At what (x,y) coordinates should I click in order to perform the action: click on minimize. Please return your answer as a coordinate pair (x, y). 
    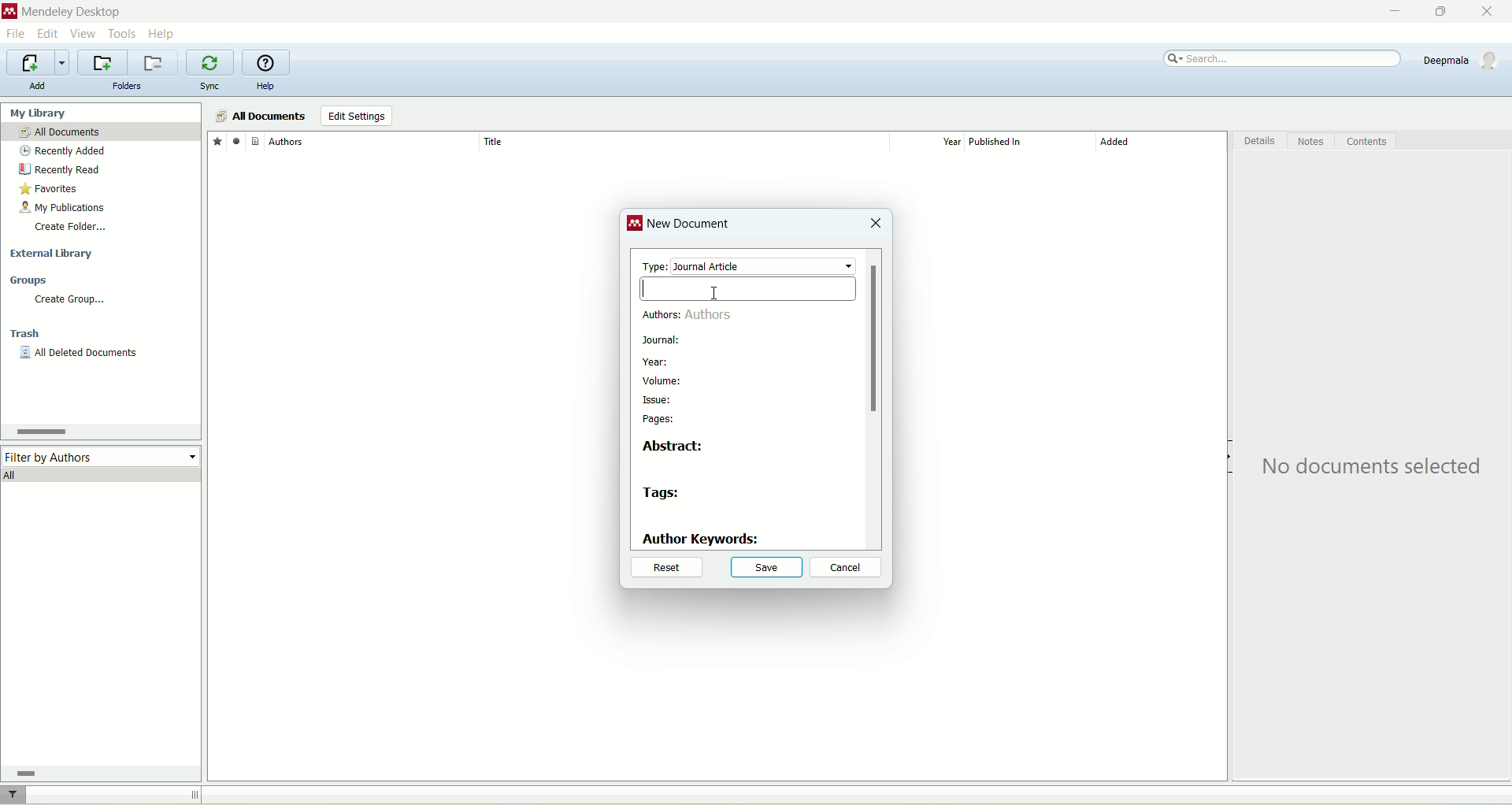
    Looking at the image, I should click on (1392, 12).